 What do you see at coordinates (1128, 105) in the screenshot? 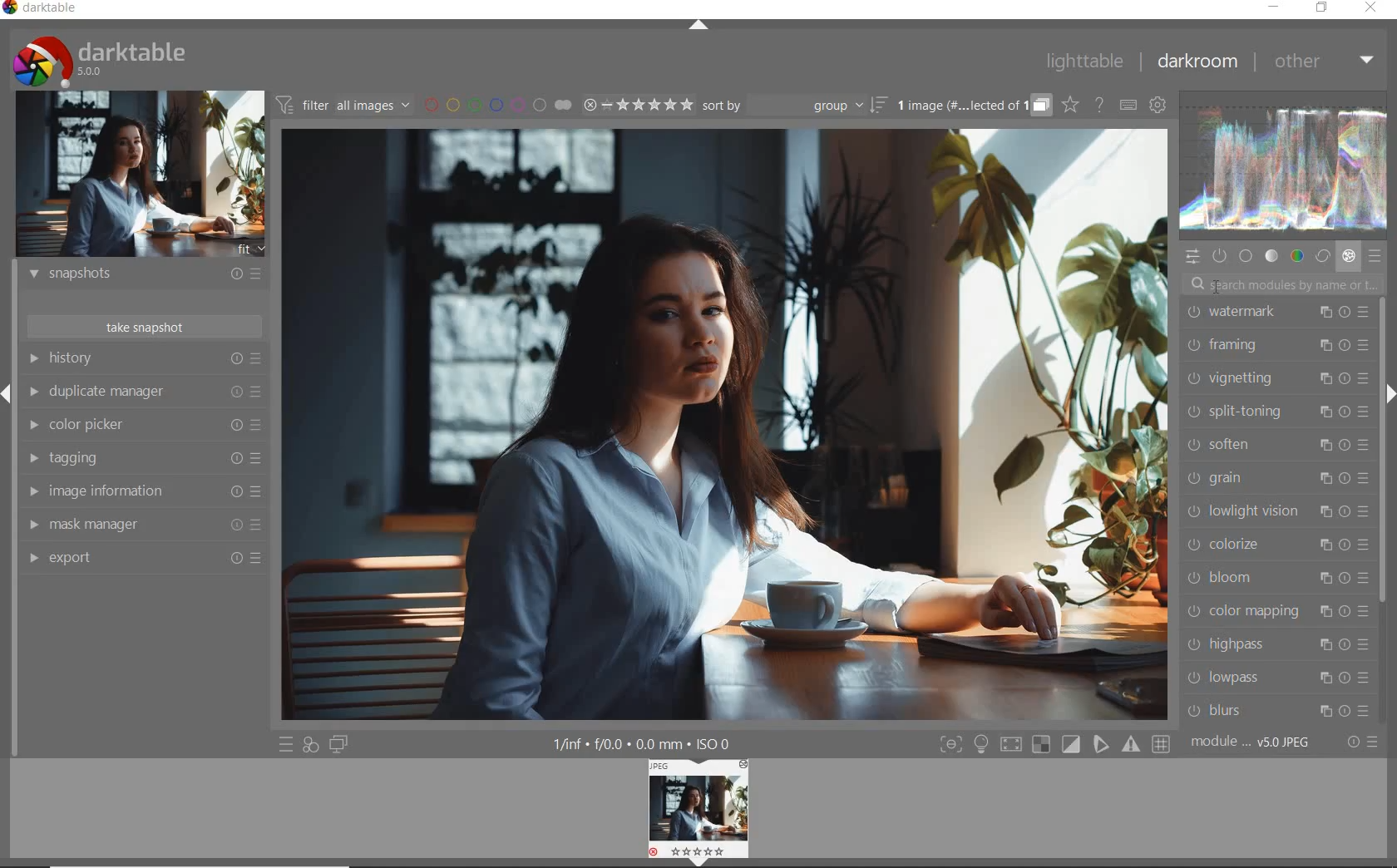
I see `set keyboard shortcuts` at bounding box center [1128, 105].